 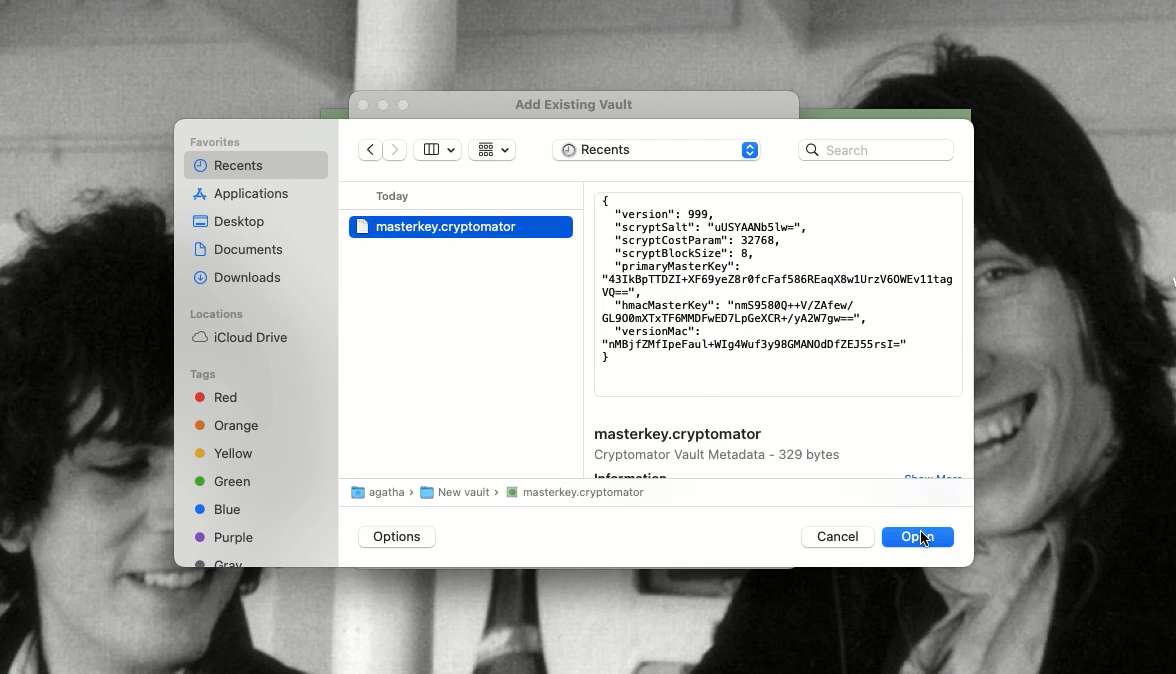 What do you see at coordinates (223, 480) in the screenshot?
I see `Green` at bounding box center [223, 480].